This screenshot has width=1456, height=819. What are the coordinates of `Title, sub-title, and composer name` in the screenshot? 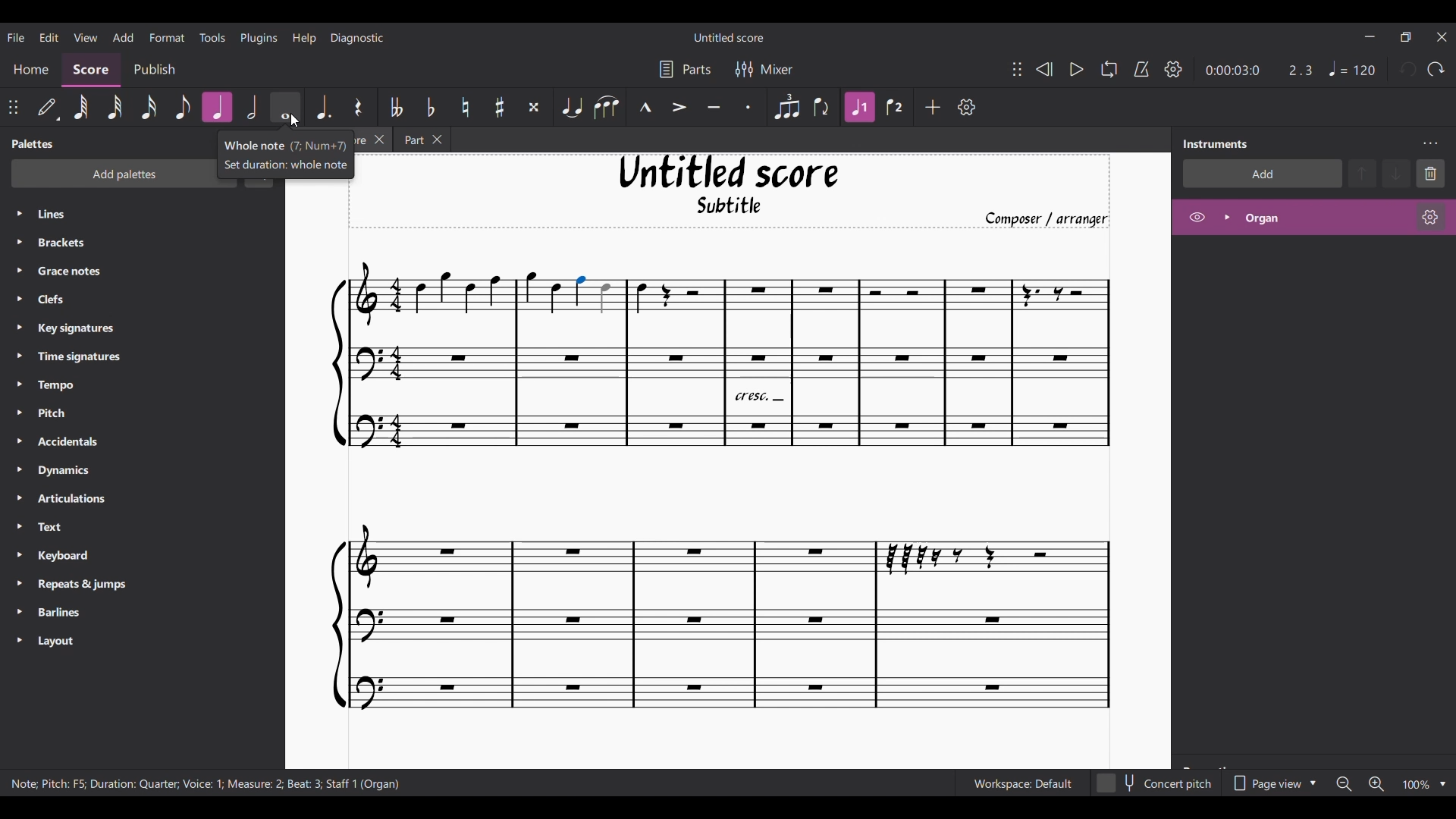 It's located at (738, 192).